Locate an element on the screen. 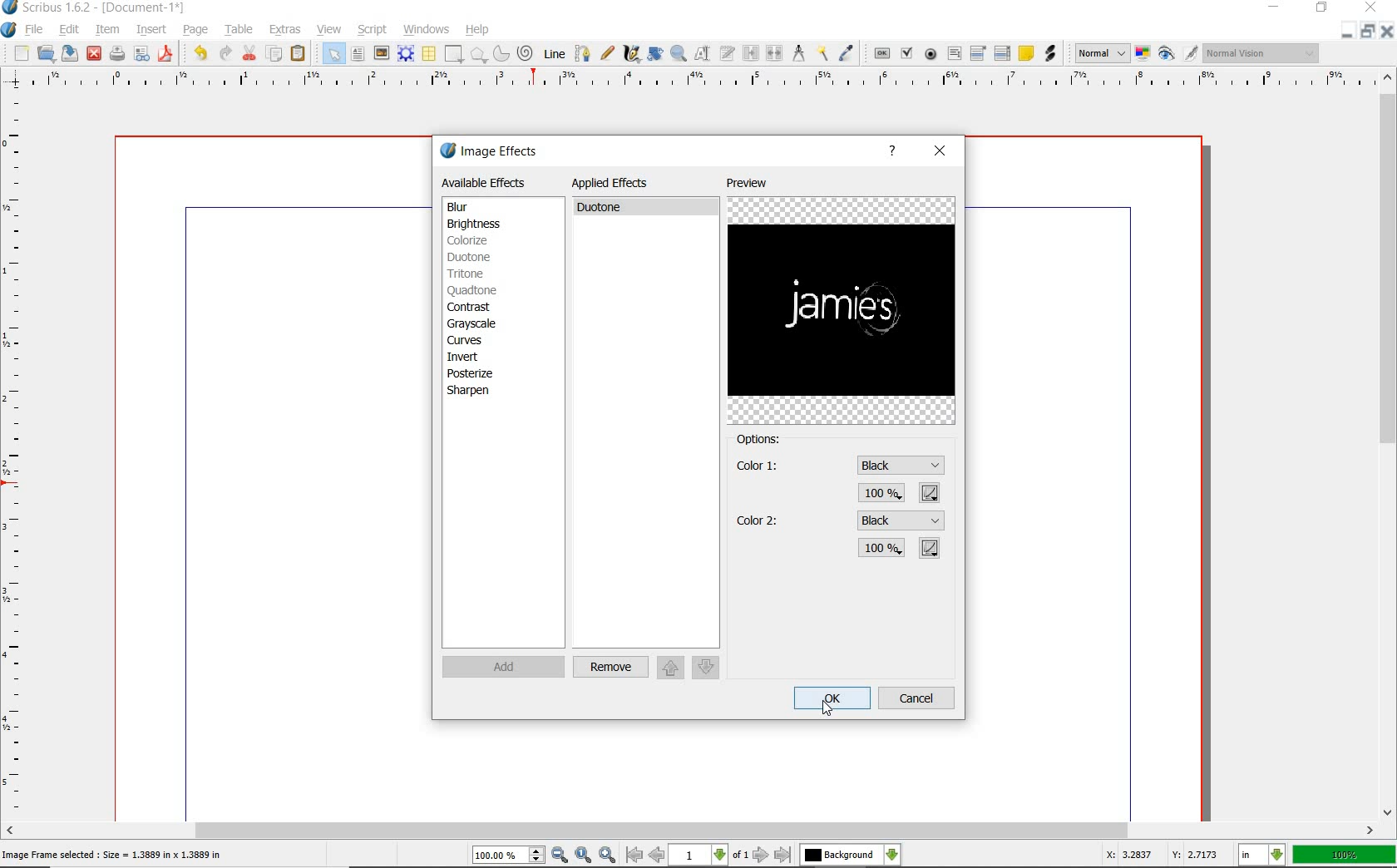 The width and height of the screenshot is (1397, 868). visual appearance of the display is located at coordinates (1261, 55).